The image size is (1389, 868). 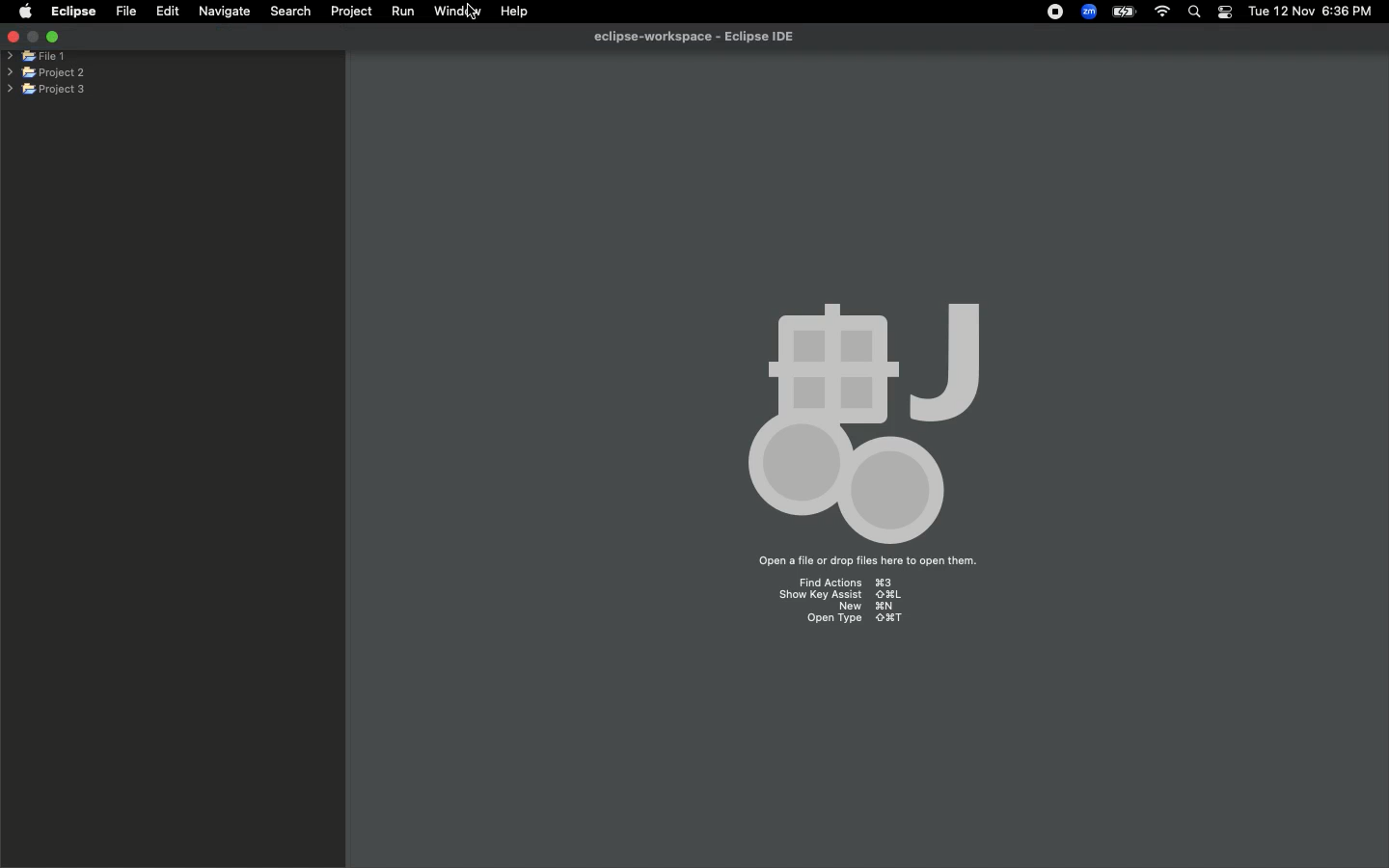 I want to click on Internet, so click(x=1162, y=13).